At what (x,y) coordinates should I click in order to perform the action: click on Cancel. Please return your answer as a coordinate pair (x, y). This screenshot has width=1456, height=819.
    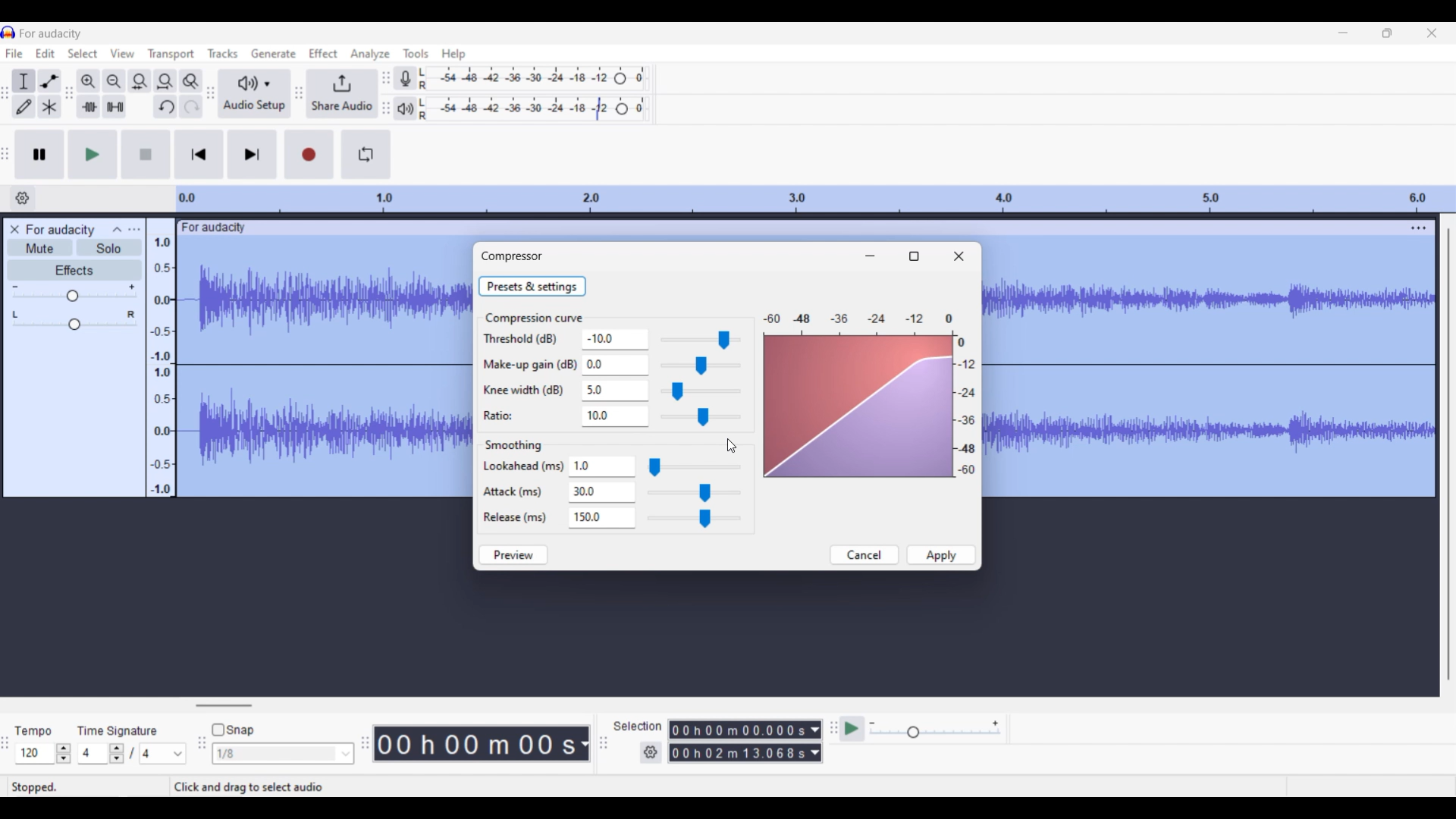
    Looking at the image, I should click on (865, 555).